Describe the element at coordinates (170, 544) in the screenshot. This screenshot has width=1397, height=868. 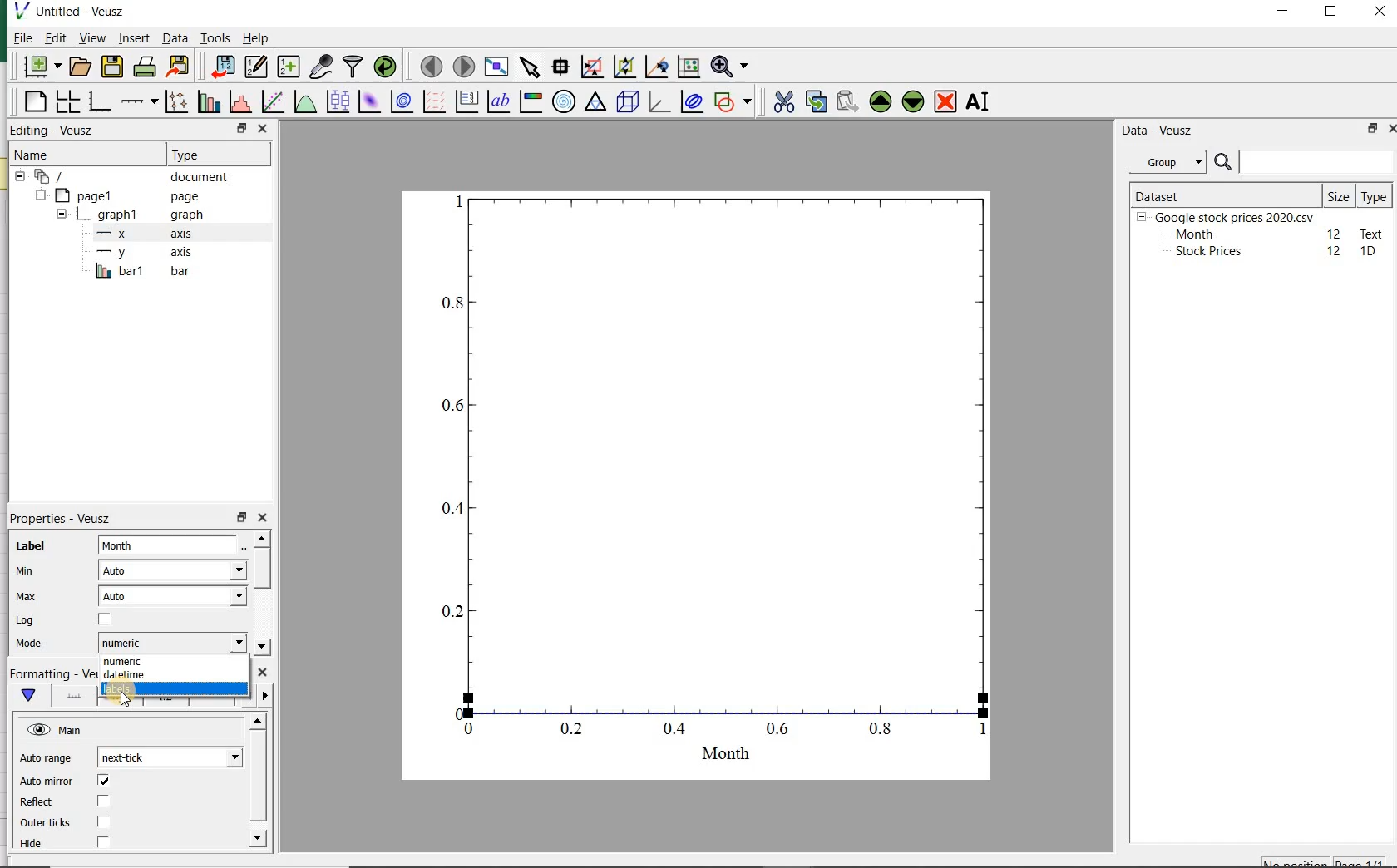
I see `input field` at that location.